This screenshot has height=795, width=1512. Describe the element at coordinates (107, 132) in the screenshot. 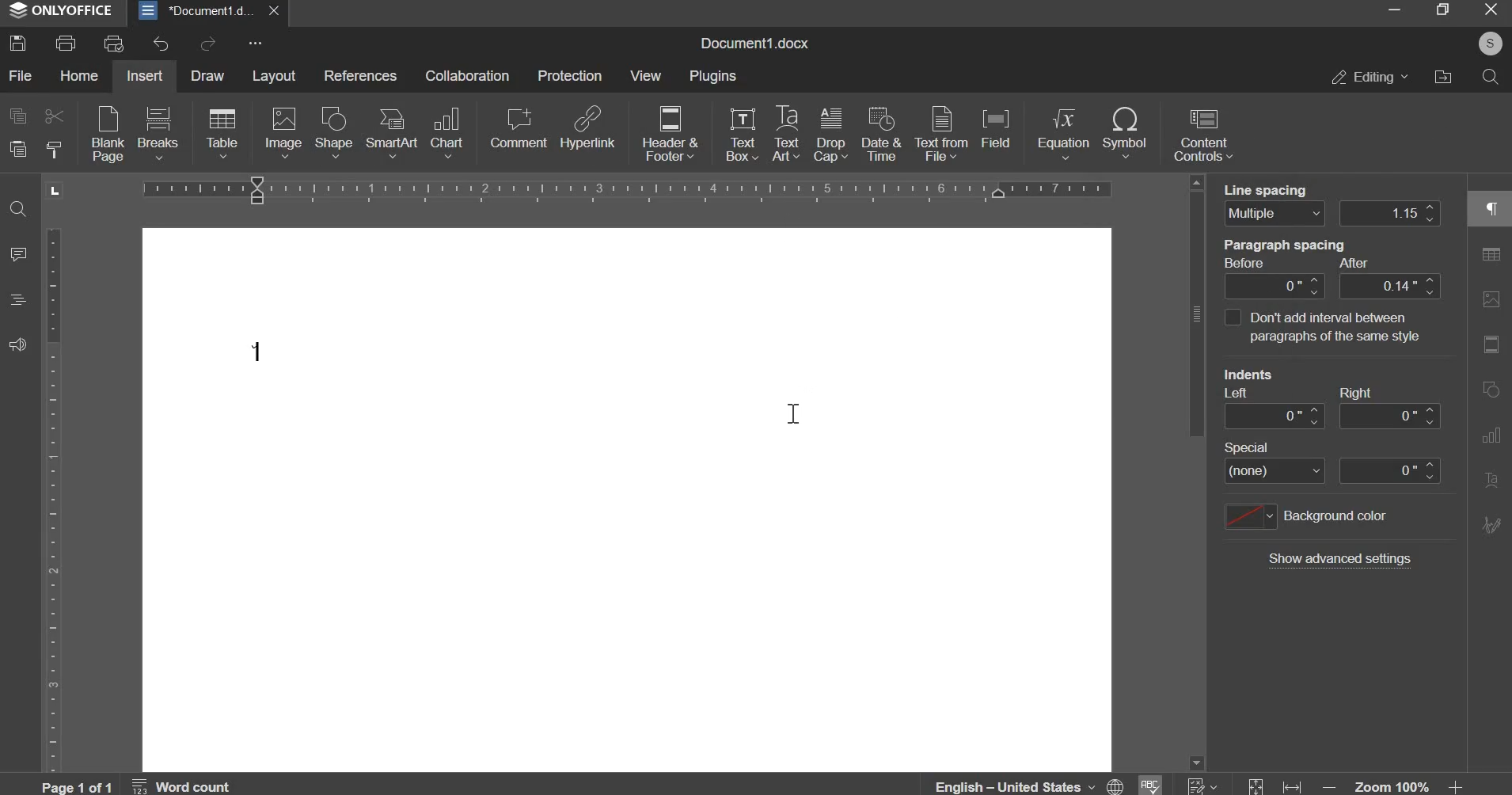

I see `blank pages` at that location.